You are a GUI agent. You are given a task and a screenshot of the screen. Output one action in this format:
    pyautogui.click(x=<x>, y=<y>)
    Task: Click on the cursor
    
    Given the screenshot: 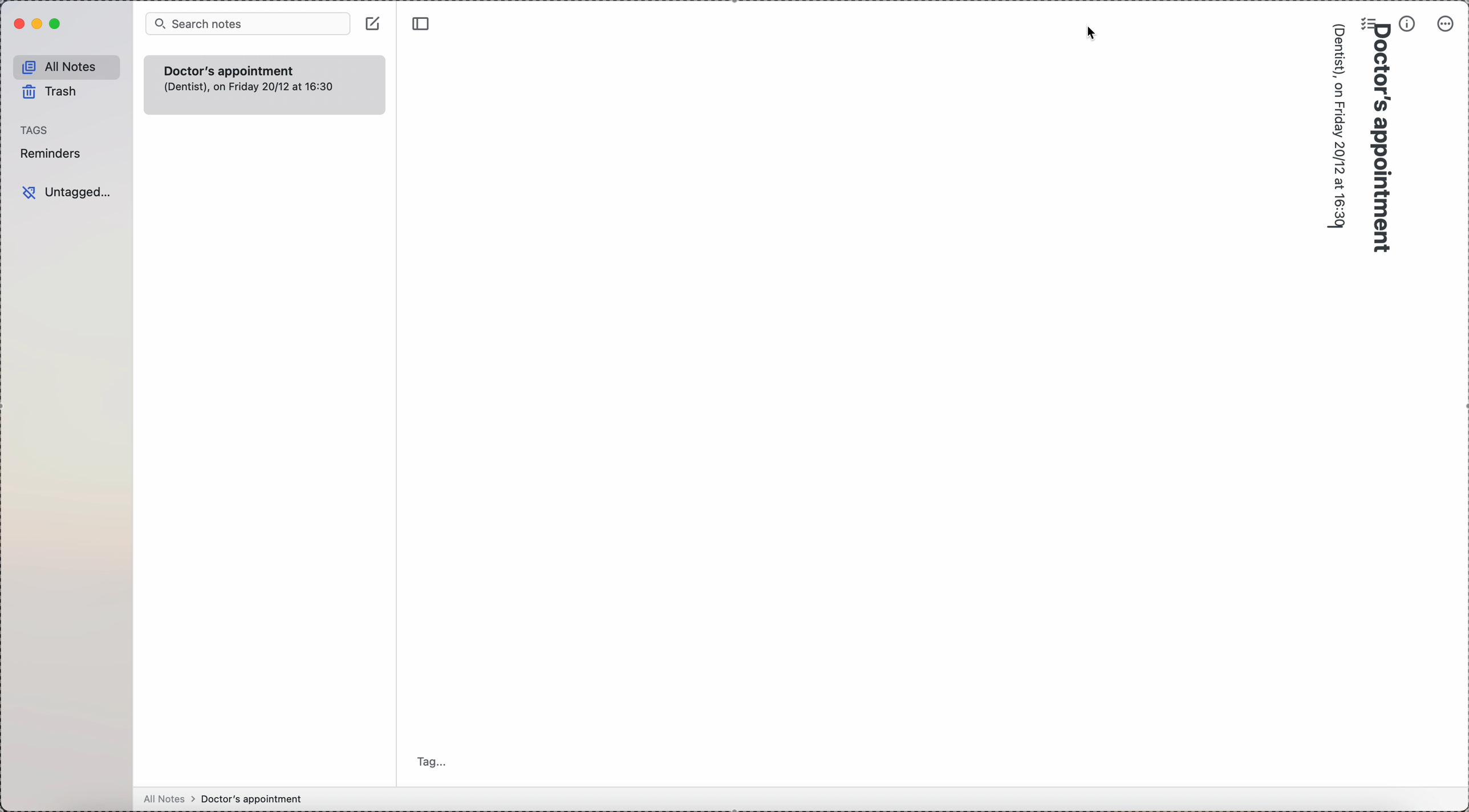 What is the action you would take?
    pyautogui.click(x=1091, y=34)
    